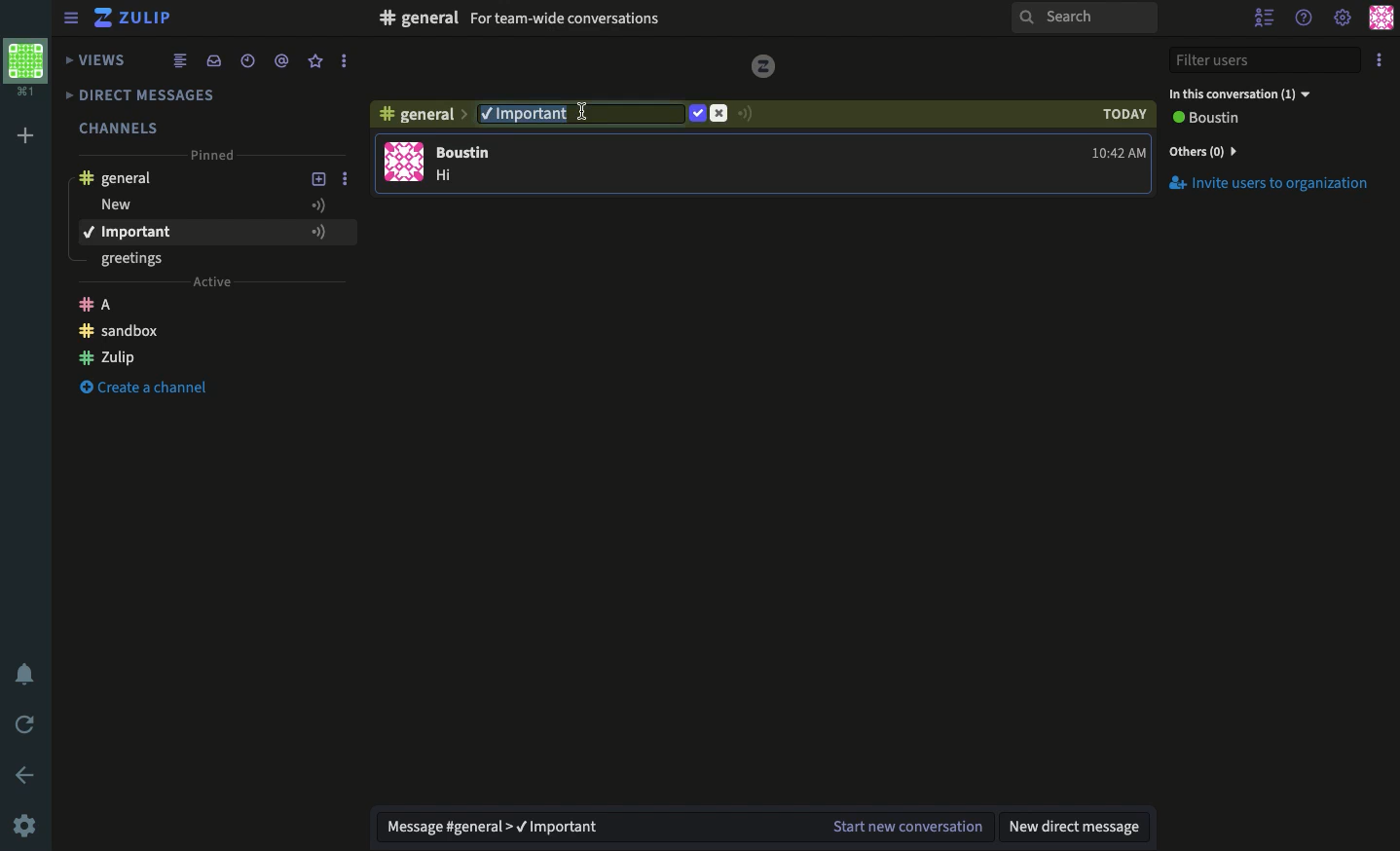  Describe the element at coordinates (144, 333) in the screenshot. I see `Create a channel` at that location.